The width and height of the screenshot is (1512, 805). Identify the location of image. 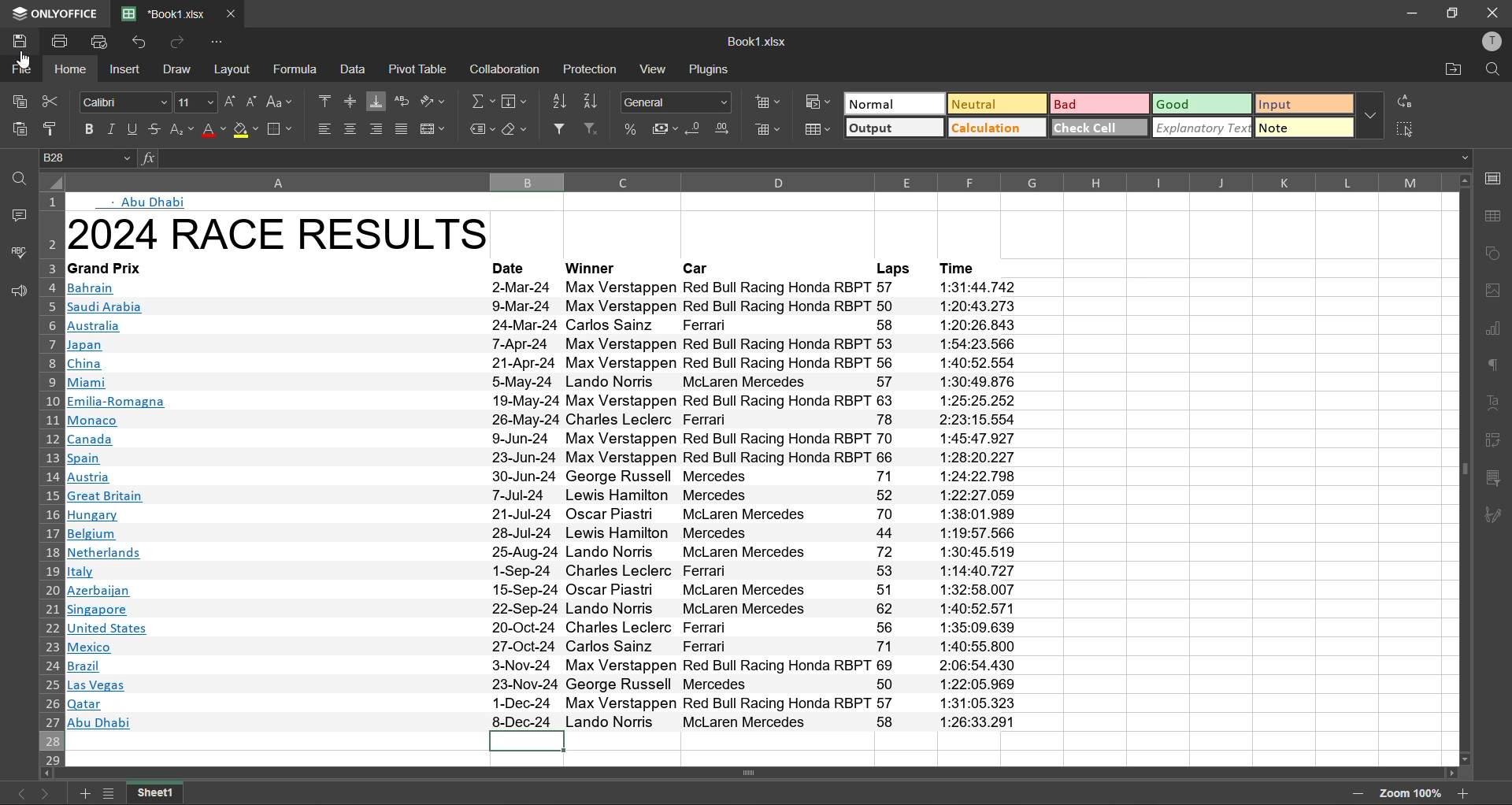
(1498, 289).